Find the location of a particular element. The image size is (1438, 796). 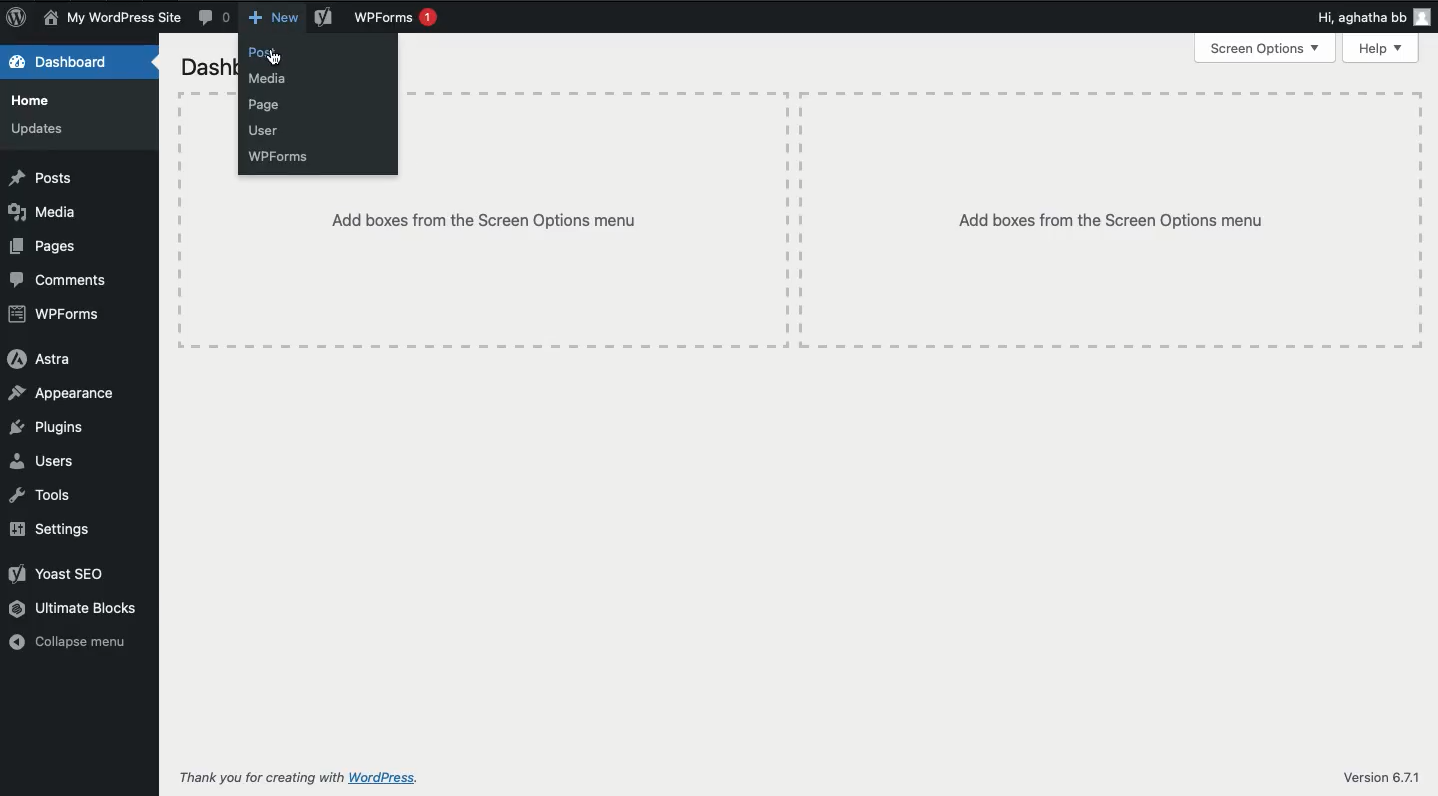

New is located at coordinates (275, 18).